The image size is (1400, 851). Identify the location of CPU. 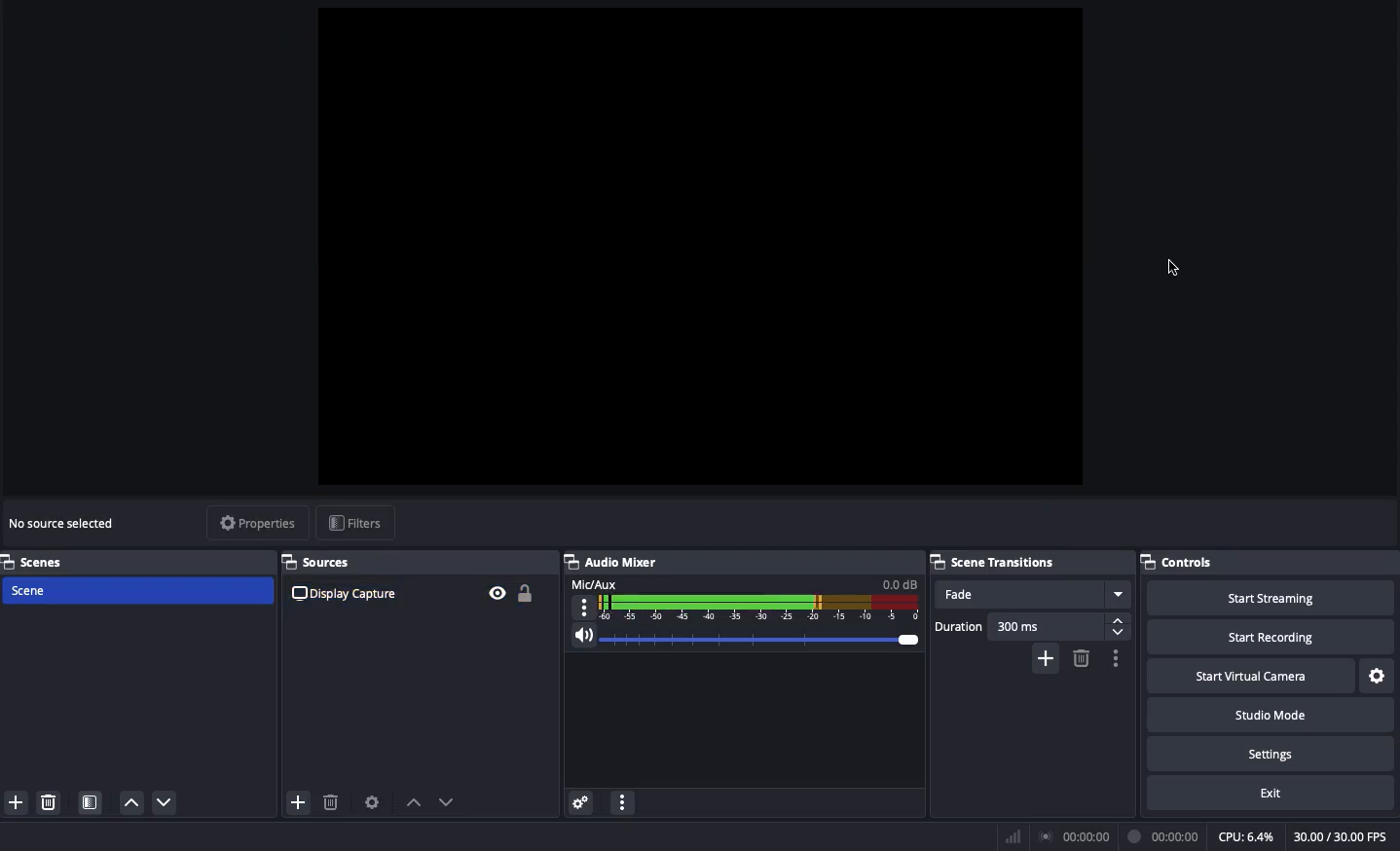
(1245, 837).